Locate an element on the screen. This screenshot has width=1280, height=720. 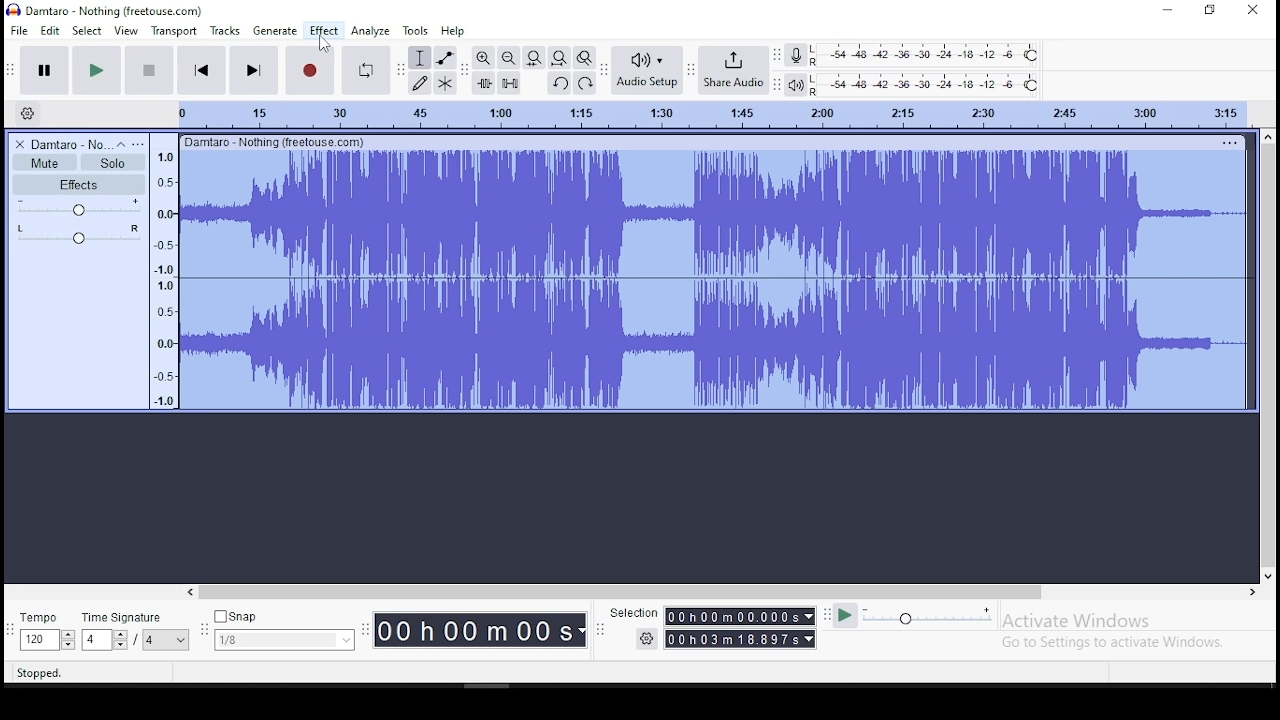
selection is located at coordinates (631, 610).